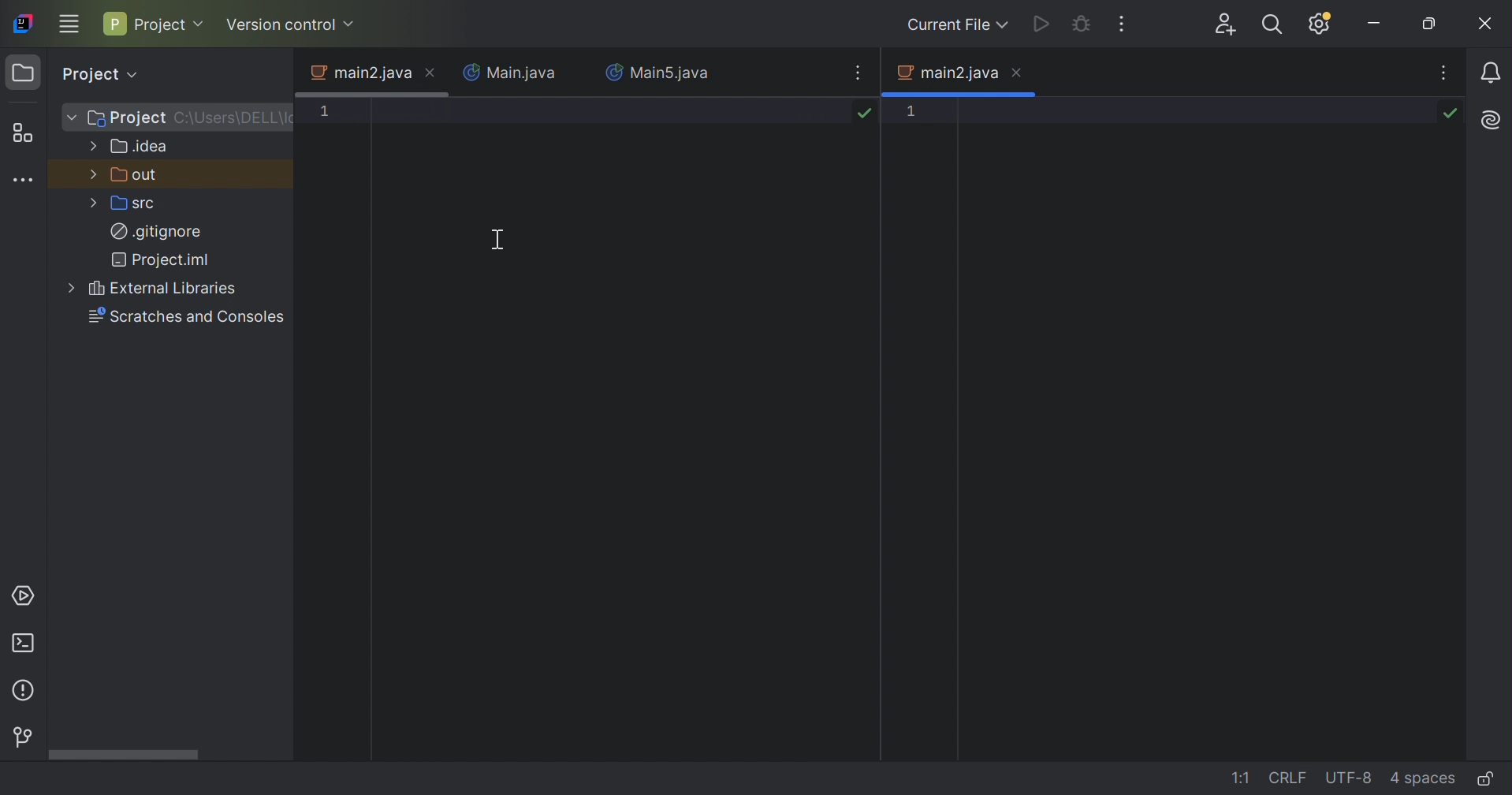 The height and width of the screenshot is (795, 1512). What do you see at coordinates (1273, 24) in the screenshot?
I see `Search everywhere` at bounding box center [1273, 24].